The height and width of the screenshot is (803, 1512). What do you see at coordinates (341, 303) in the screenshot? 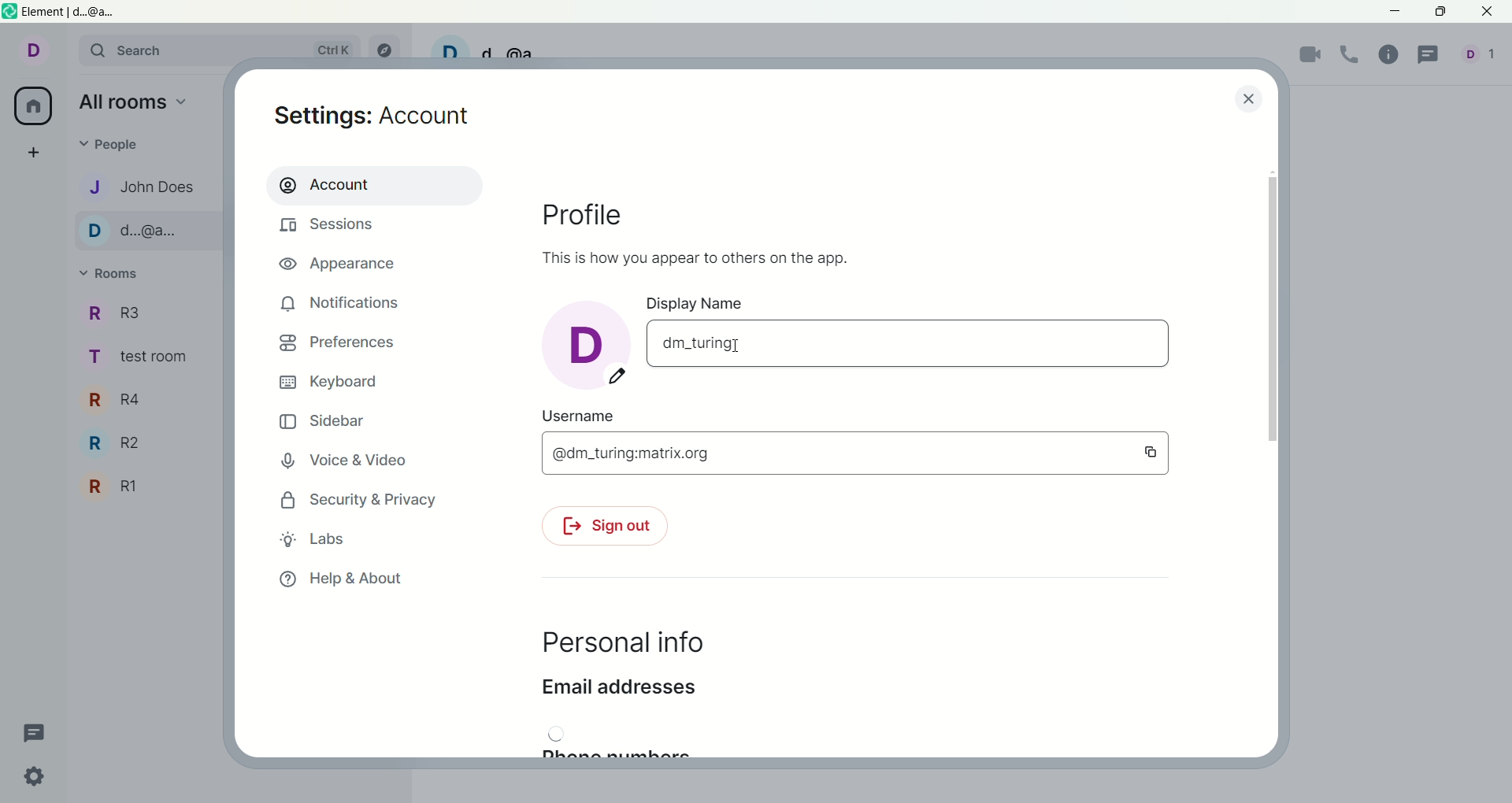
I see `notifications` at bounding box center [341, 303].